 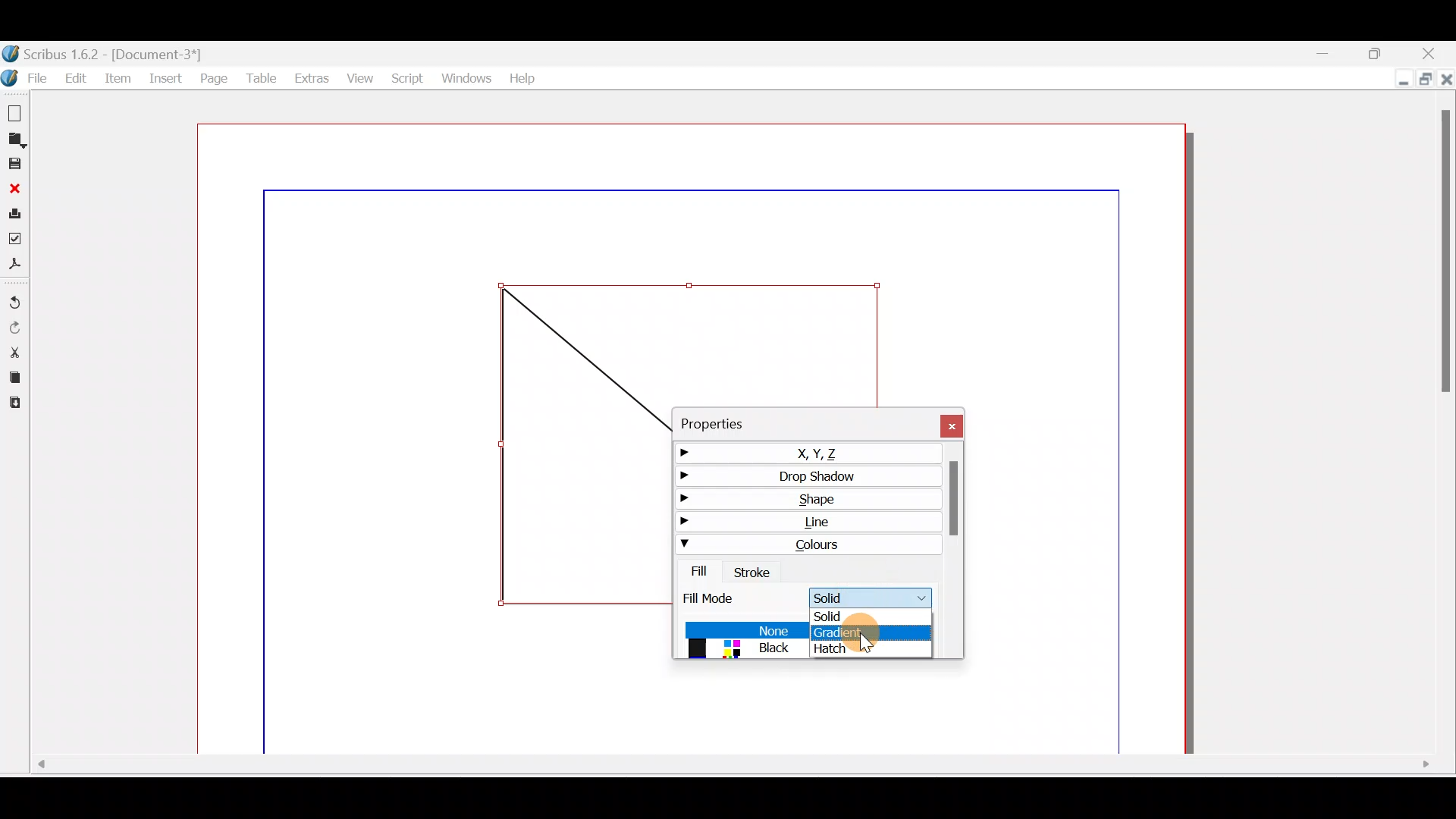 I want to click on Script, so click(x=406, y=78).